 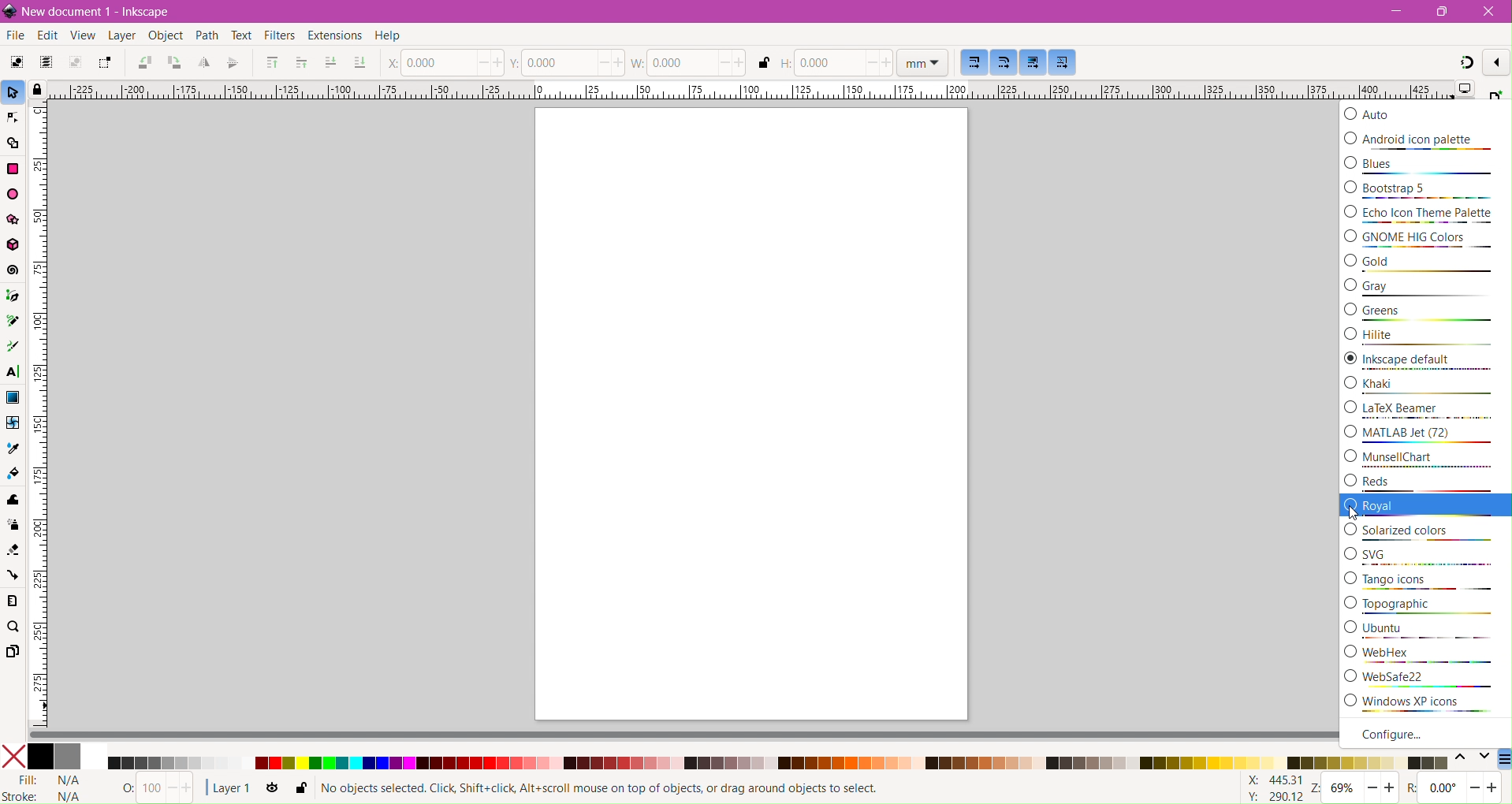 What do you see at coordinates (229, 788) in the screenshot?
I see `Current Layer` at bounding box center [229, 788].